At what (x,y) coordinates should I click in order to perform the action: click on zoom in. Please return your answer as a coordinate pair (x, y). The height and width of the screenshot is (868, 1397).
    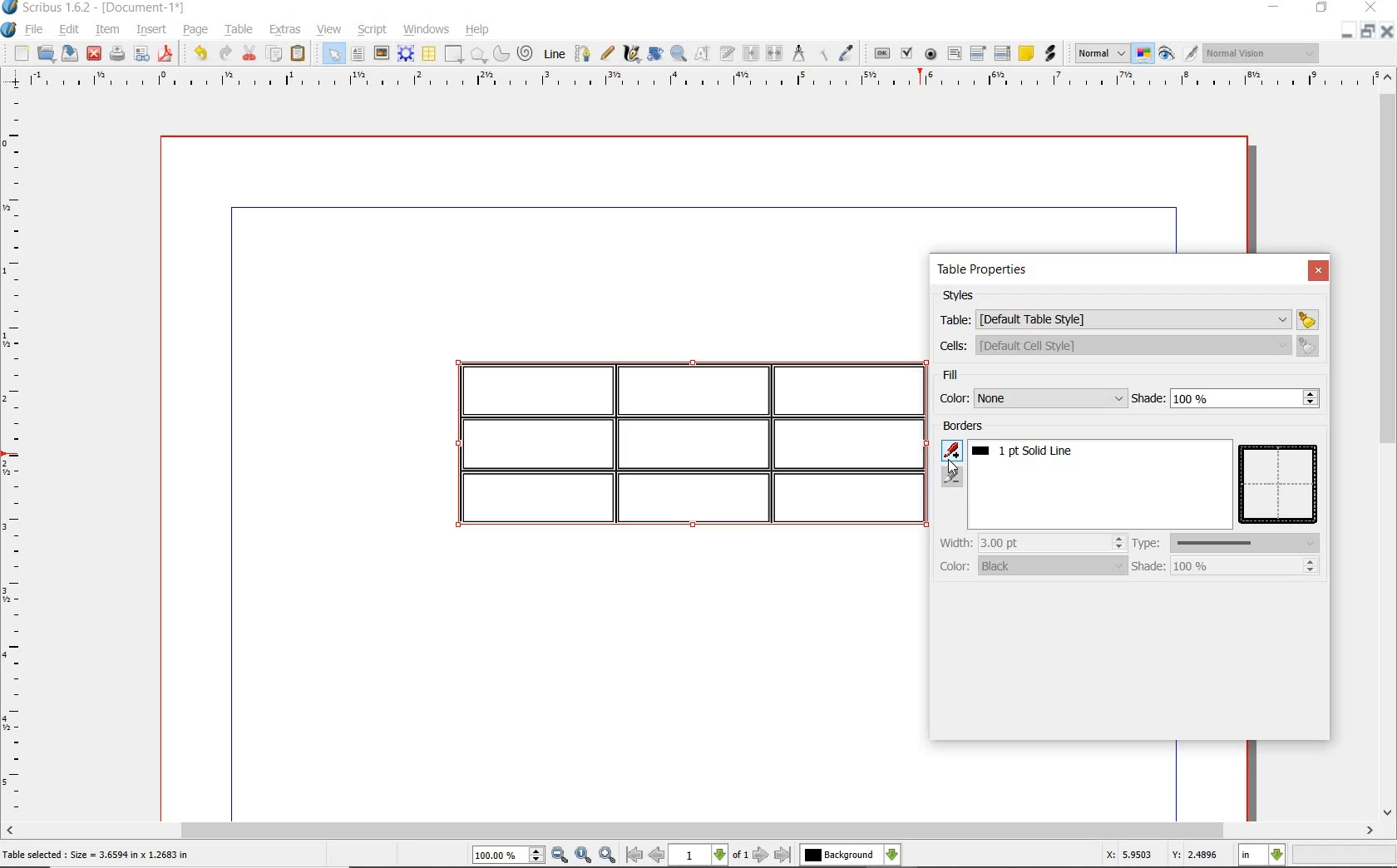
    Looking at the image, I should click on (608, 855).